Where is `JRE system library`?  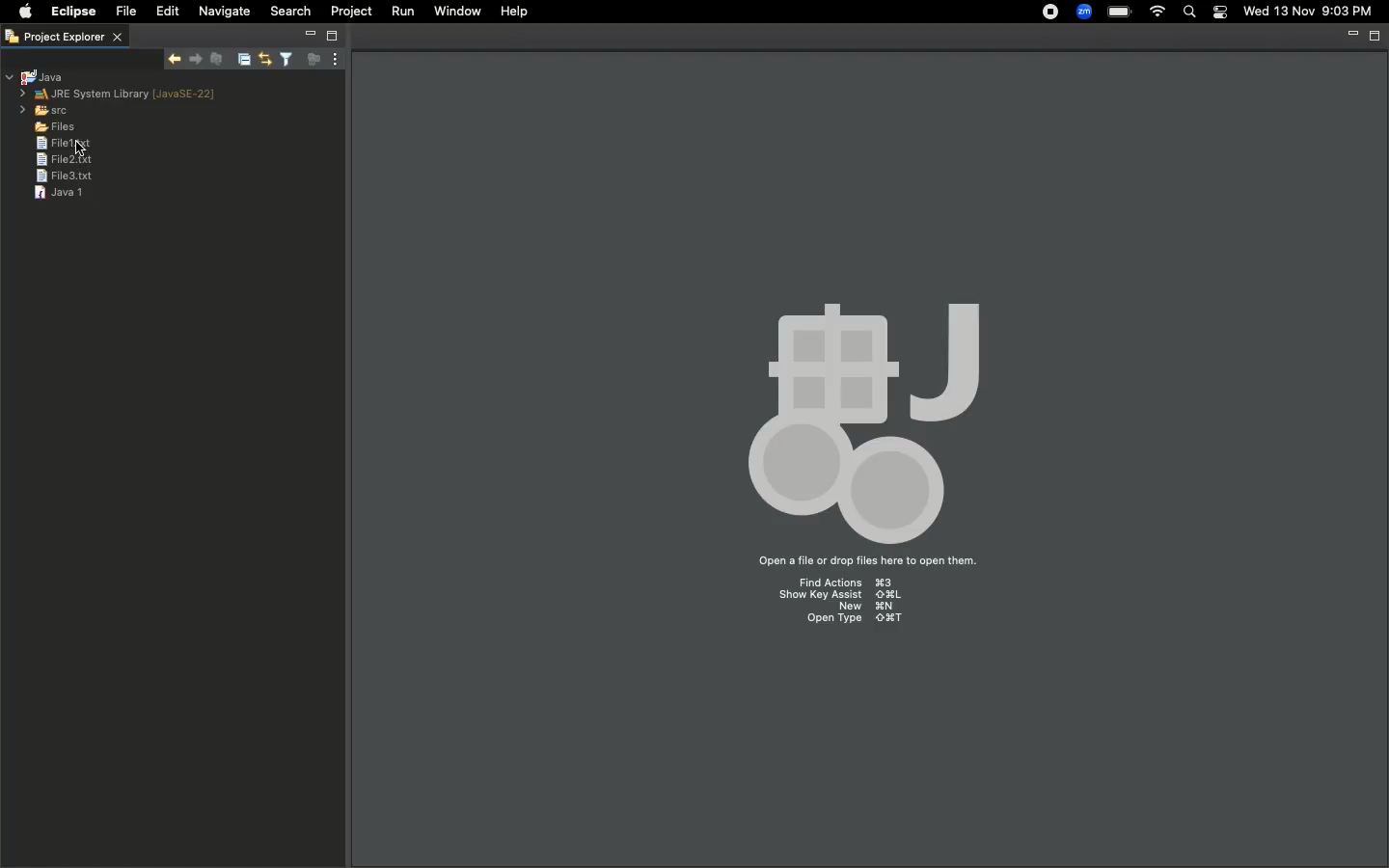 JRE system library is located at coordinates (122, 95).